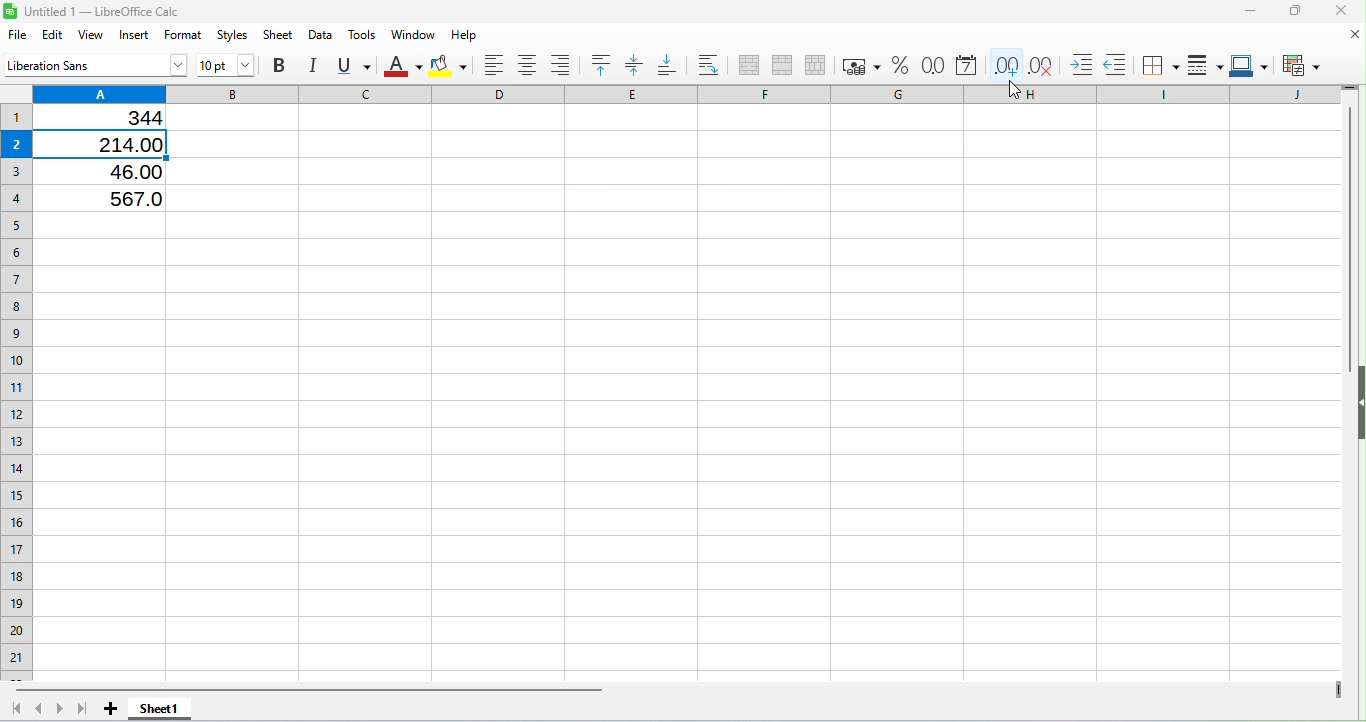 The image size is (1366, 722). I want to click on Sheet, so click(279, 34).